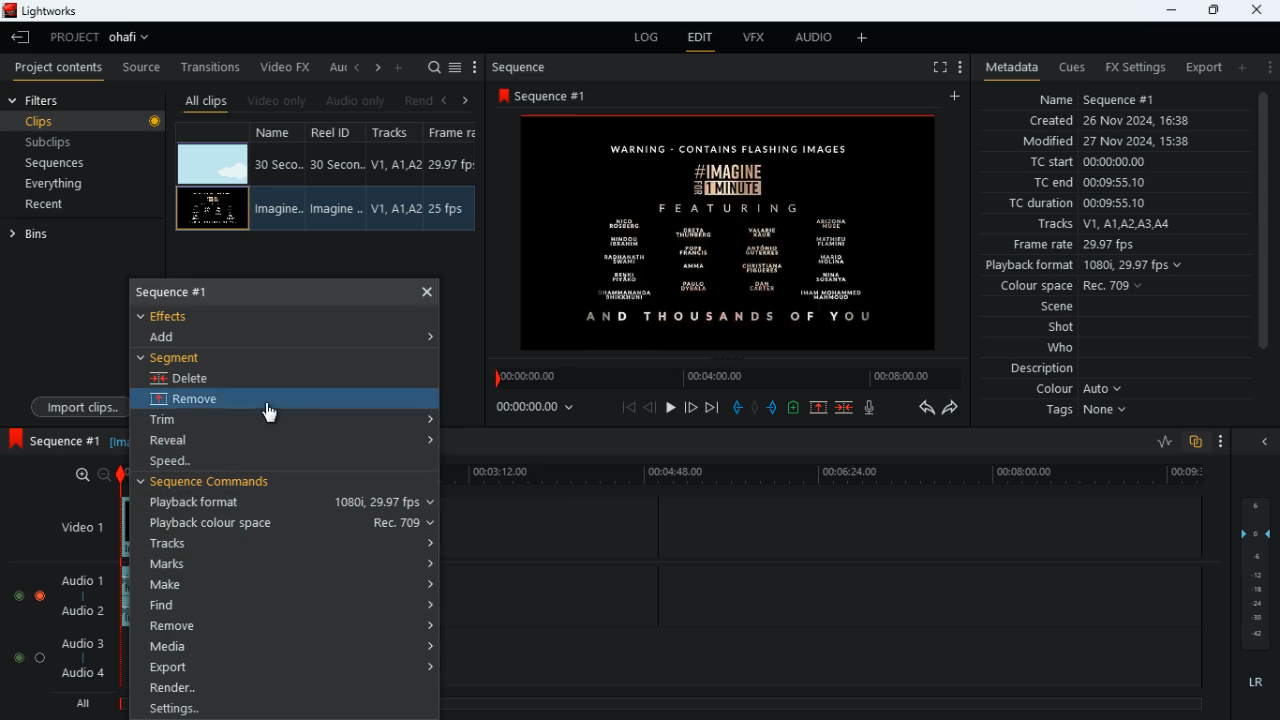  What do you see at coordinates (738, 407) in the screenshot?
I see `pull` at bounding box center [738, 407].